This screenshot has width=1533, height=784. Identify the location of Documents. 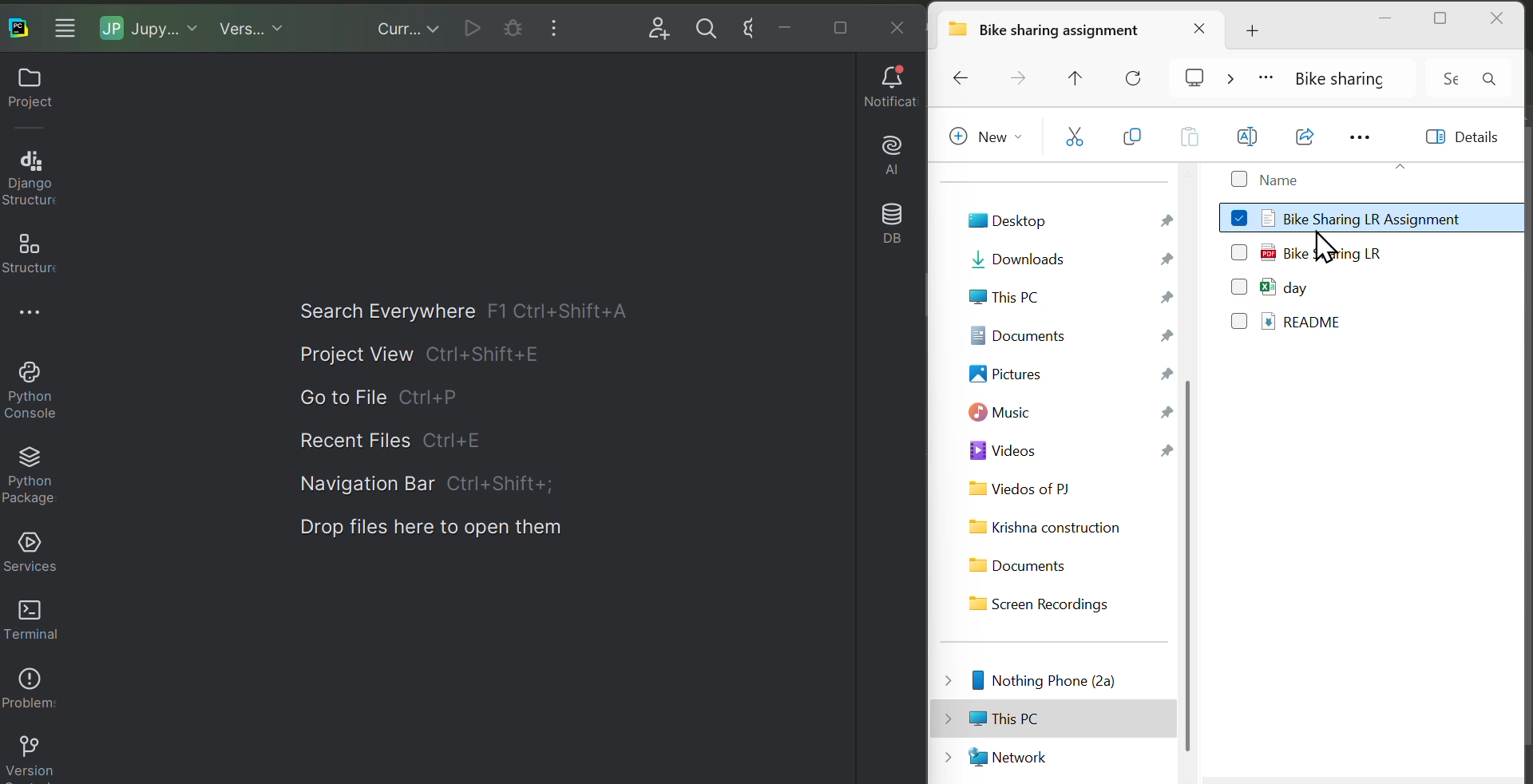
(1070, 331).